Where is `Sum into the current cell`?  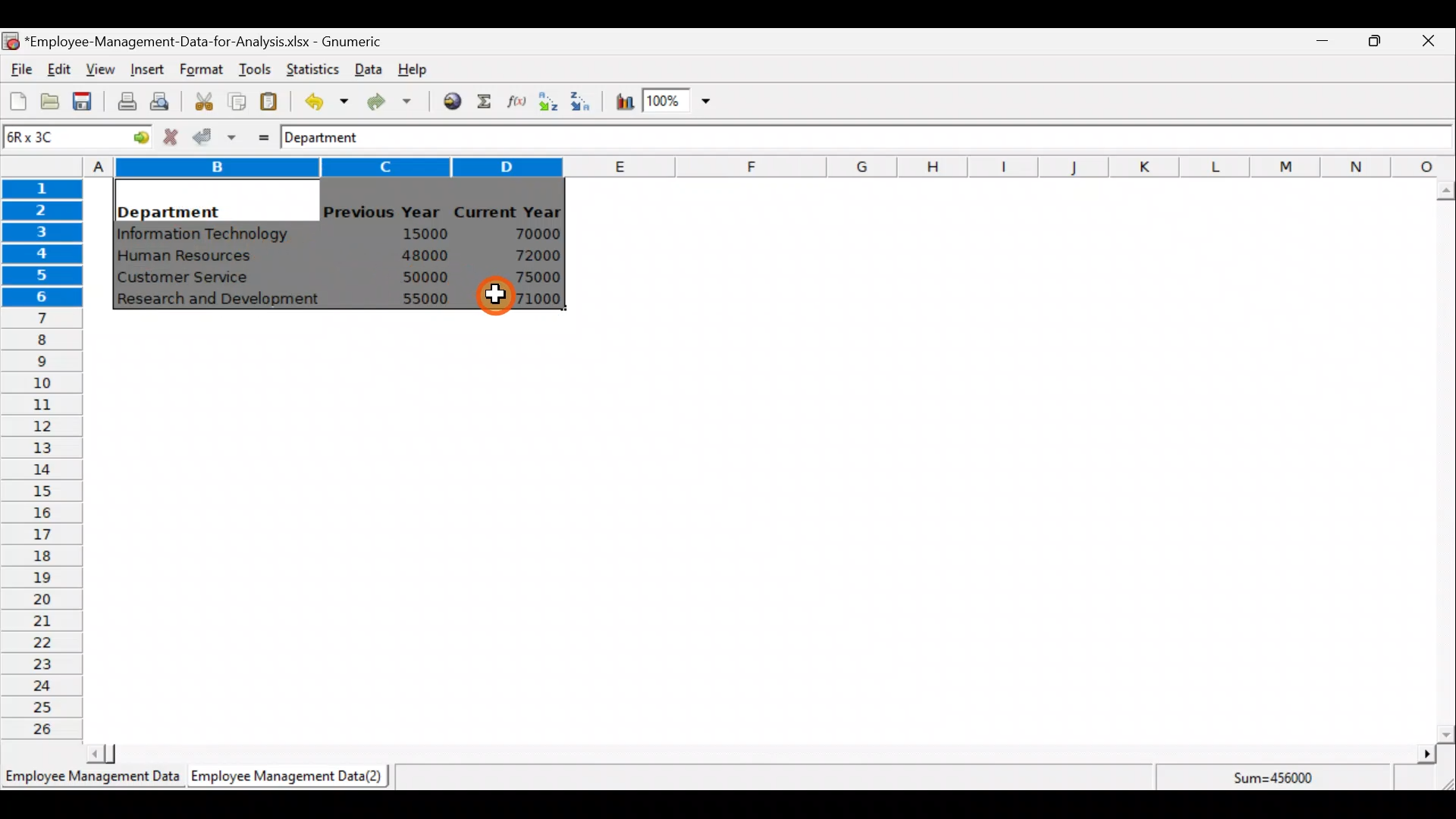 Sum into the current cell is located at coordinates (482, 101).